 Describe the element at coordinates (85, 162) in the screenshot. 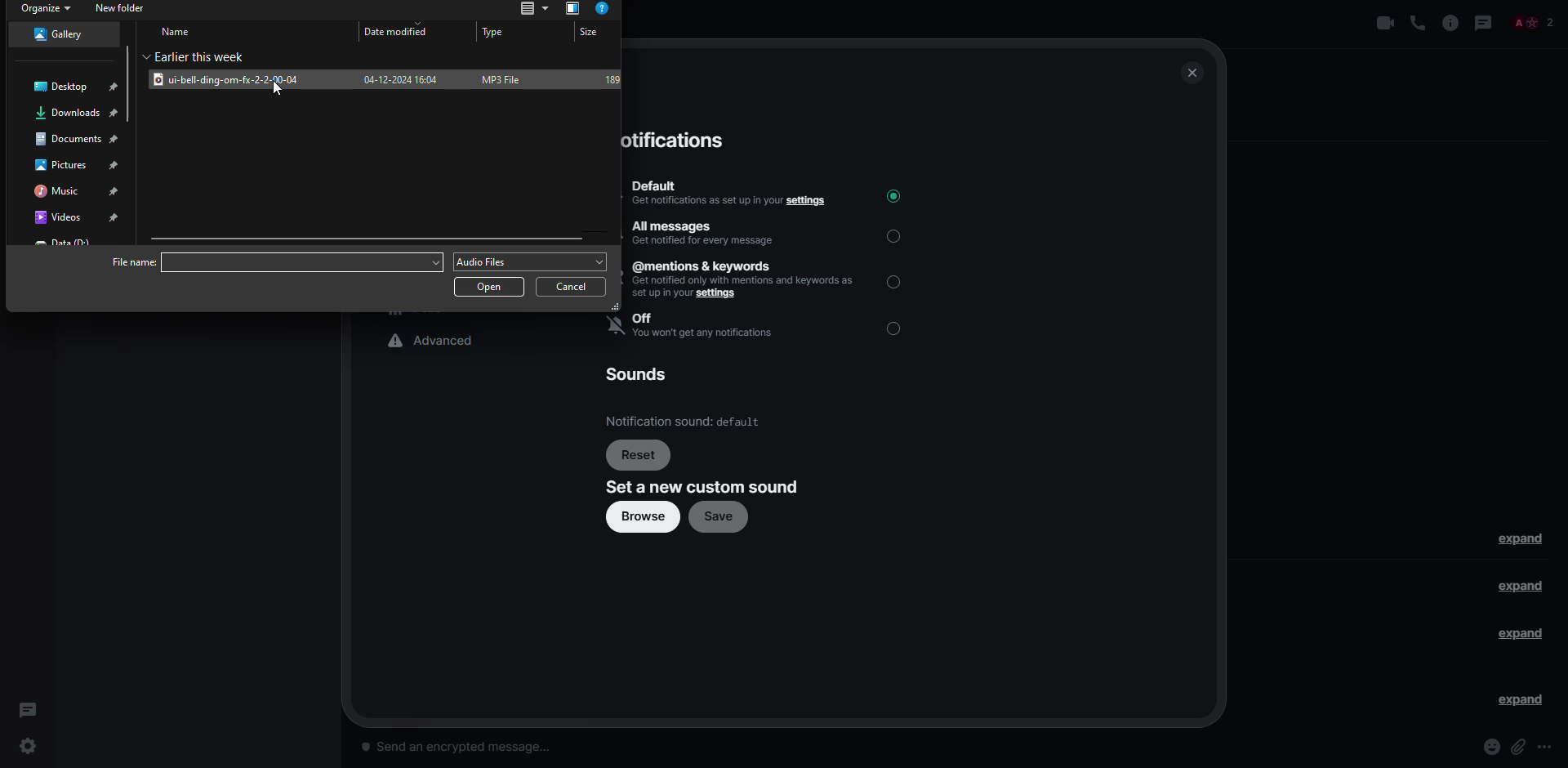

I see `Pictures` at that location.